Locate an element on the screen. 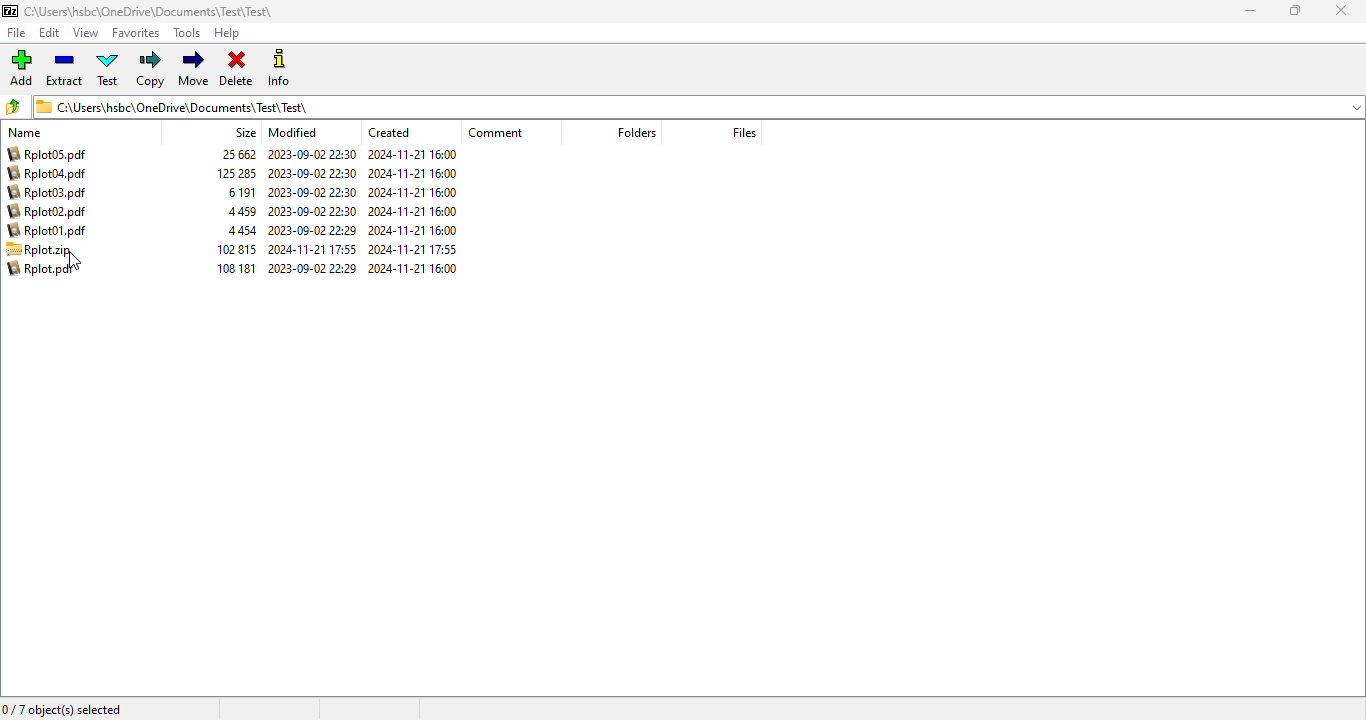  close is located at coordinates (1341, 11).